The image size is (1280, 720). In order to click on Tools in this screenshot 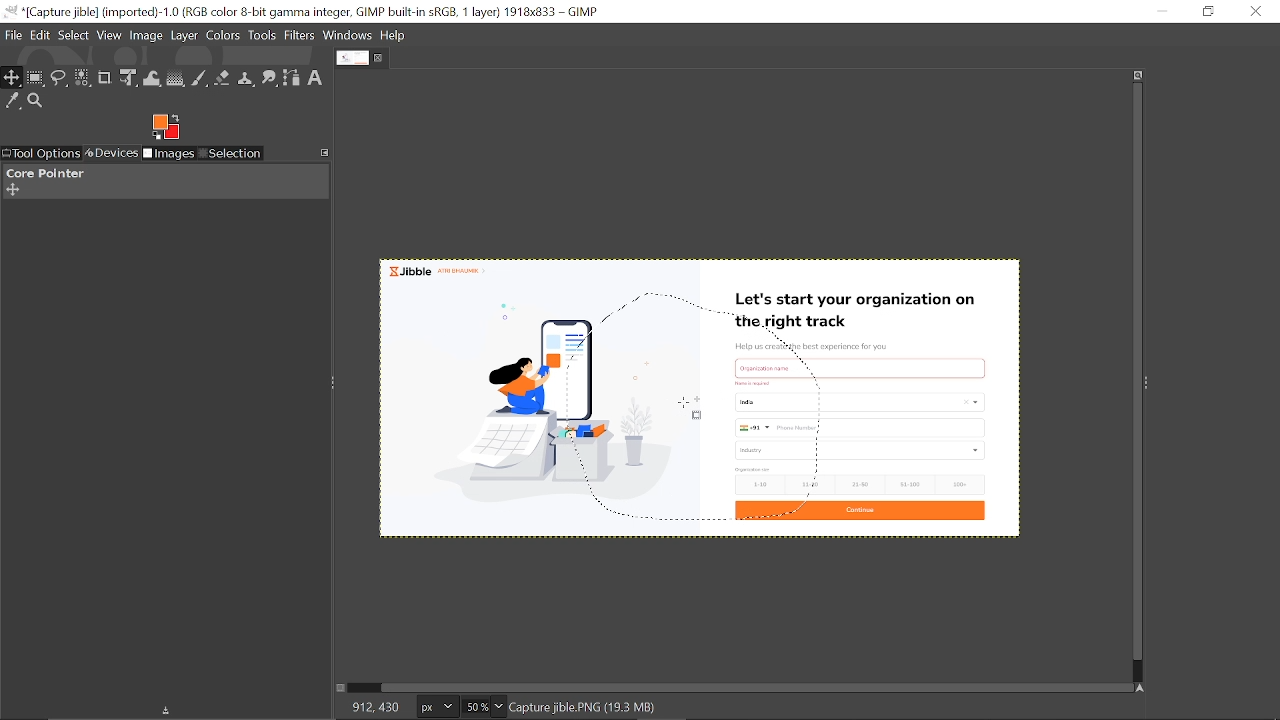, I will do `click(262, 35)`.